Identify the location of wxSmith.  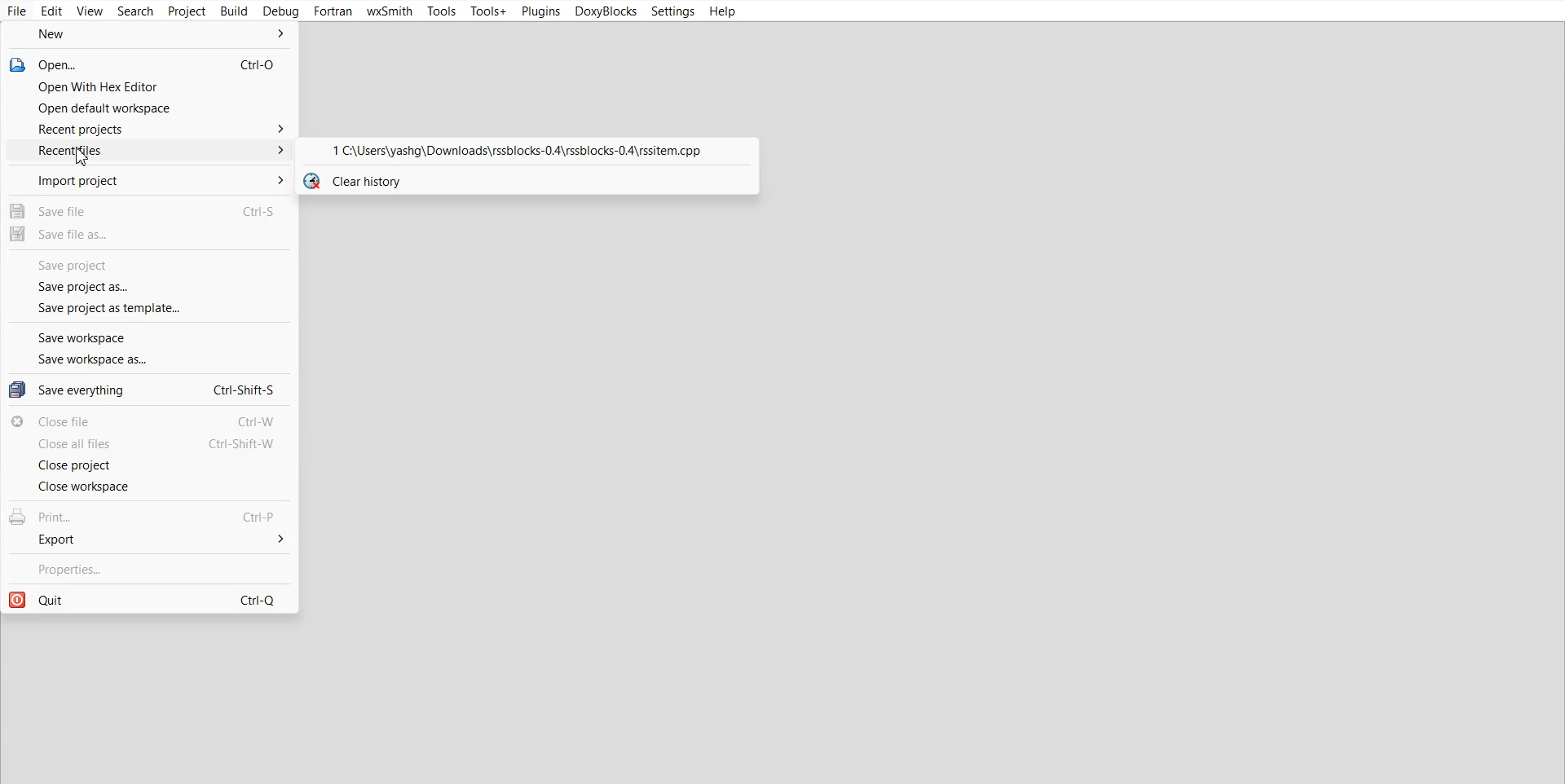
(389, 11).